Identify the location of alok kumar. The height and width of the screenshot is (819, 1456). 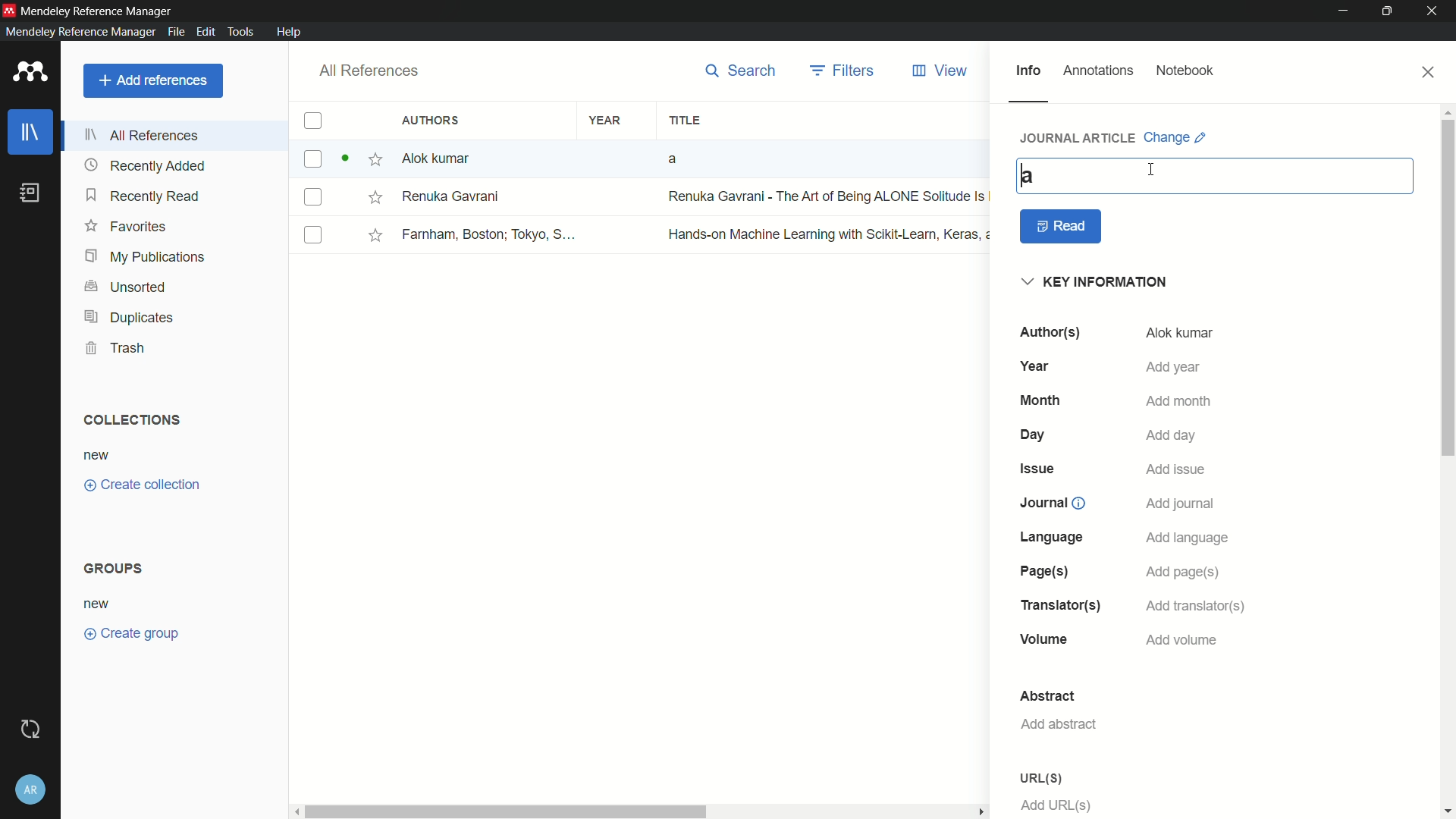
(1179, 334).